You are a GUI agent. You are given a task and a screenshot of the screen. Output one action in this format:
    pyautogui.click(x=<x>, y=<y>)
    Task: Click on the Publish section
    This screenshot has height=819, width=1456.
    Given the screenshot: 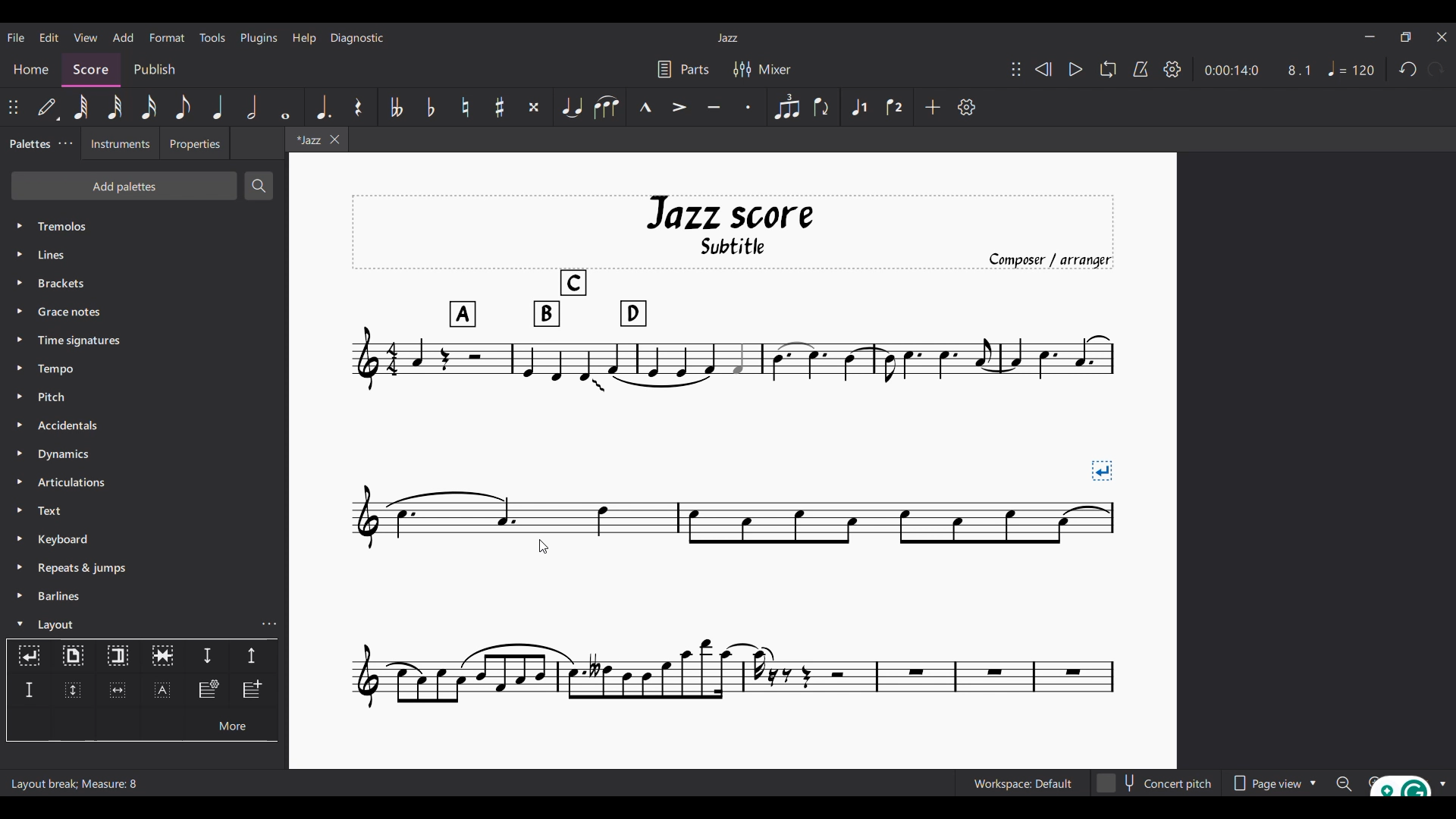 What is the action you would take?
    pyautogui.click(x=155, y=71)
    